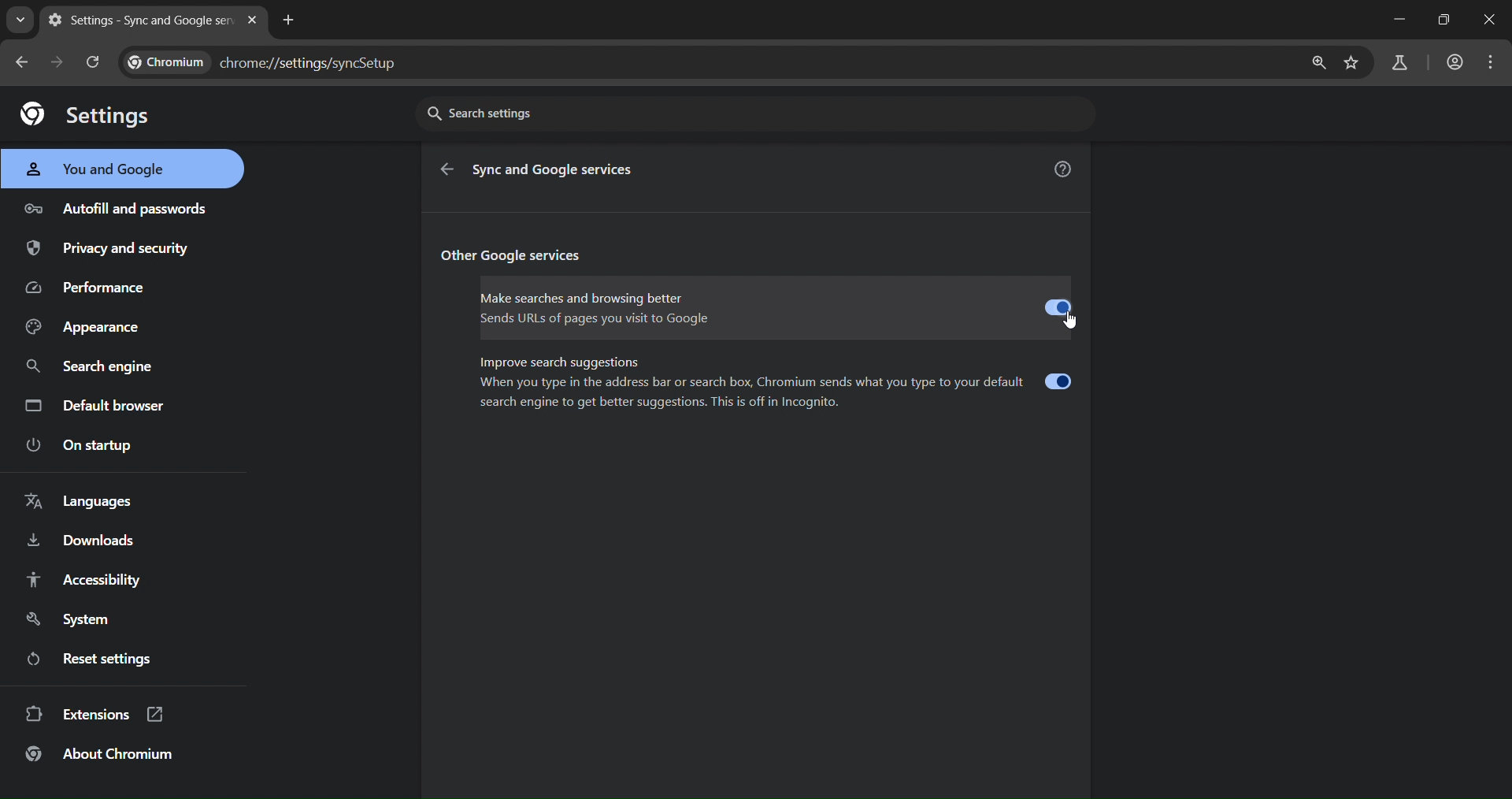 Image resolution: width=1512 pixels, height=799 pixels. What do you see at coordinates (774, 307) in the screenshot?
I see `Make searches and browsing better
Sends URLs of pages you visit to Google` at bounding box center [774, 307].